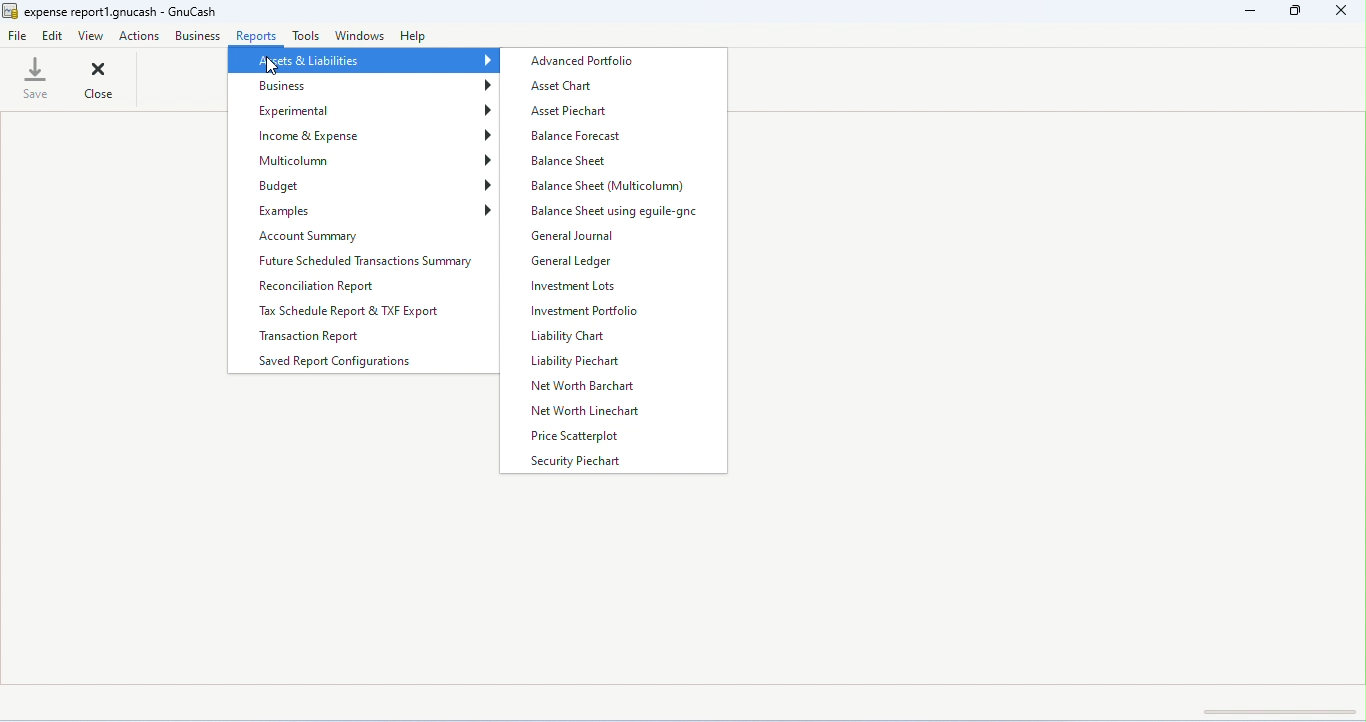 Image resolution: width=1366 pixels, height=722 pixels. What do you see at coordinates (574, 238) in the screenshot?
I see `general journal` at bounding box center [574, 238].